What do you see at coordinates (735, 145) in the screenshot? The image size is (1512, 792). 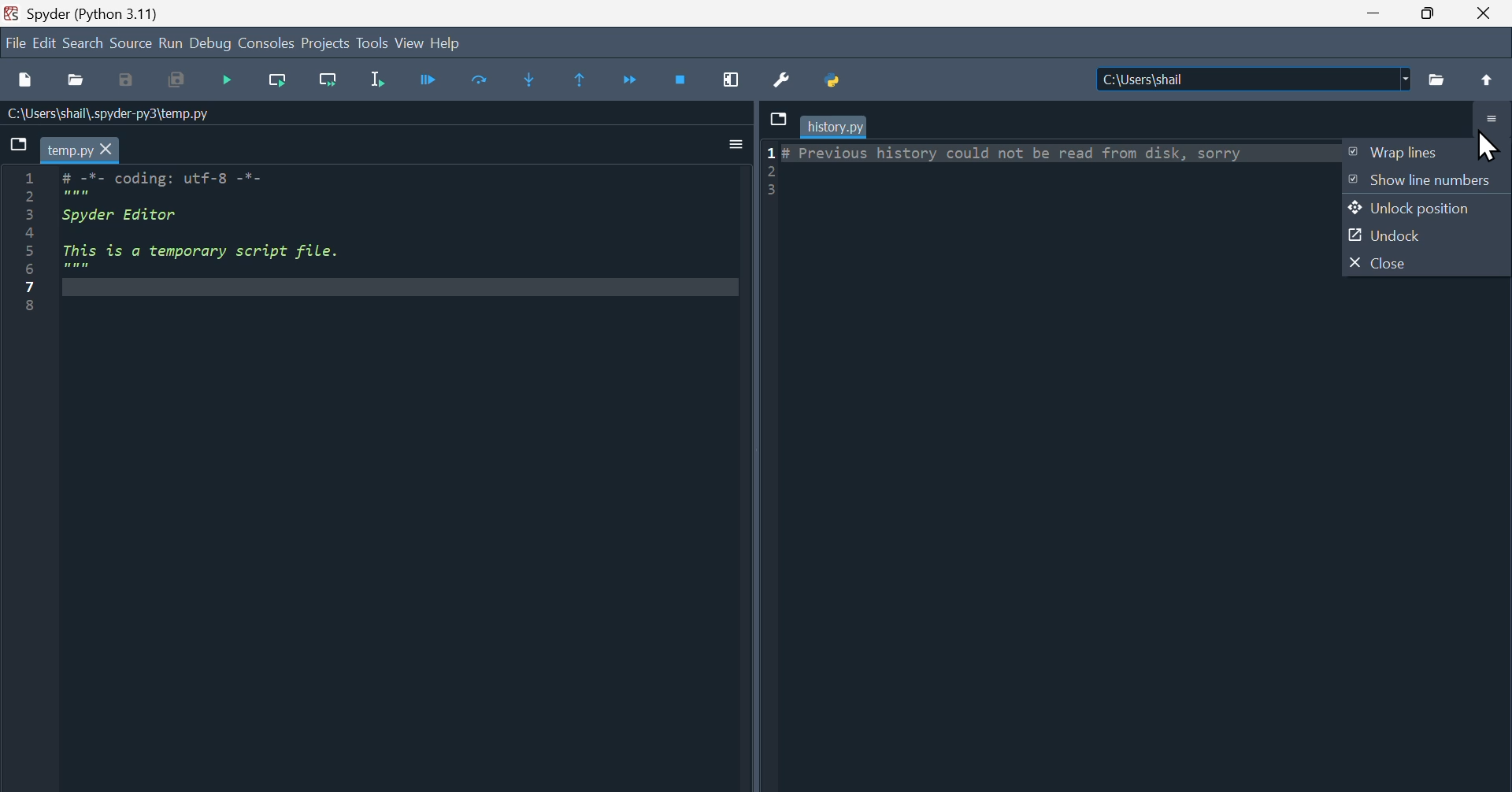 I see `` at bounding box center [735, 145].